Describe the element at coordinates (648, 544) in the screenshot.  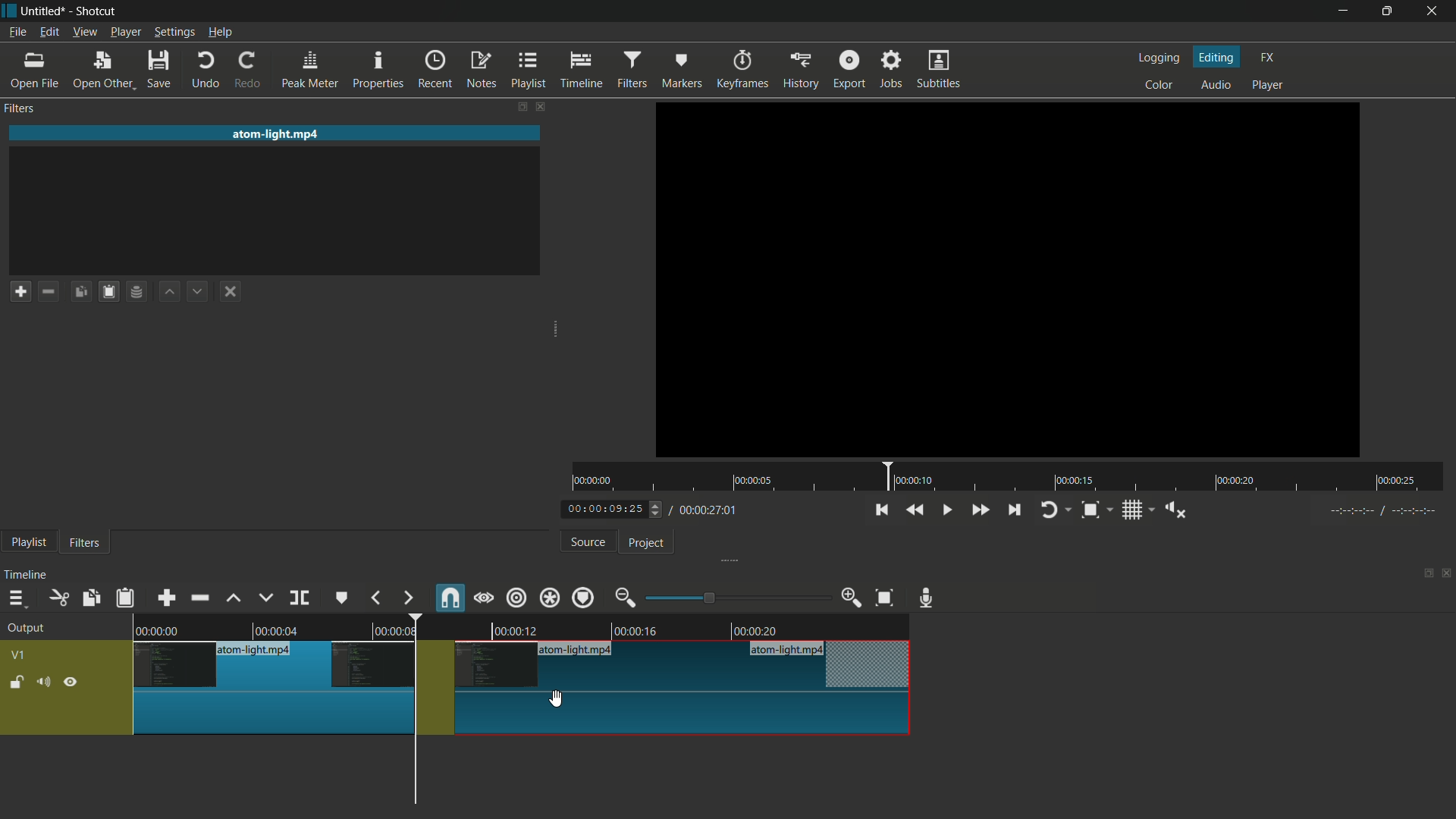
I see `project` at that location.